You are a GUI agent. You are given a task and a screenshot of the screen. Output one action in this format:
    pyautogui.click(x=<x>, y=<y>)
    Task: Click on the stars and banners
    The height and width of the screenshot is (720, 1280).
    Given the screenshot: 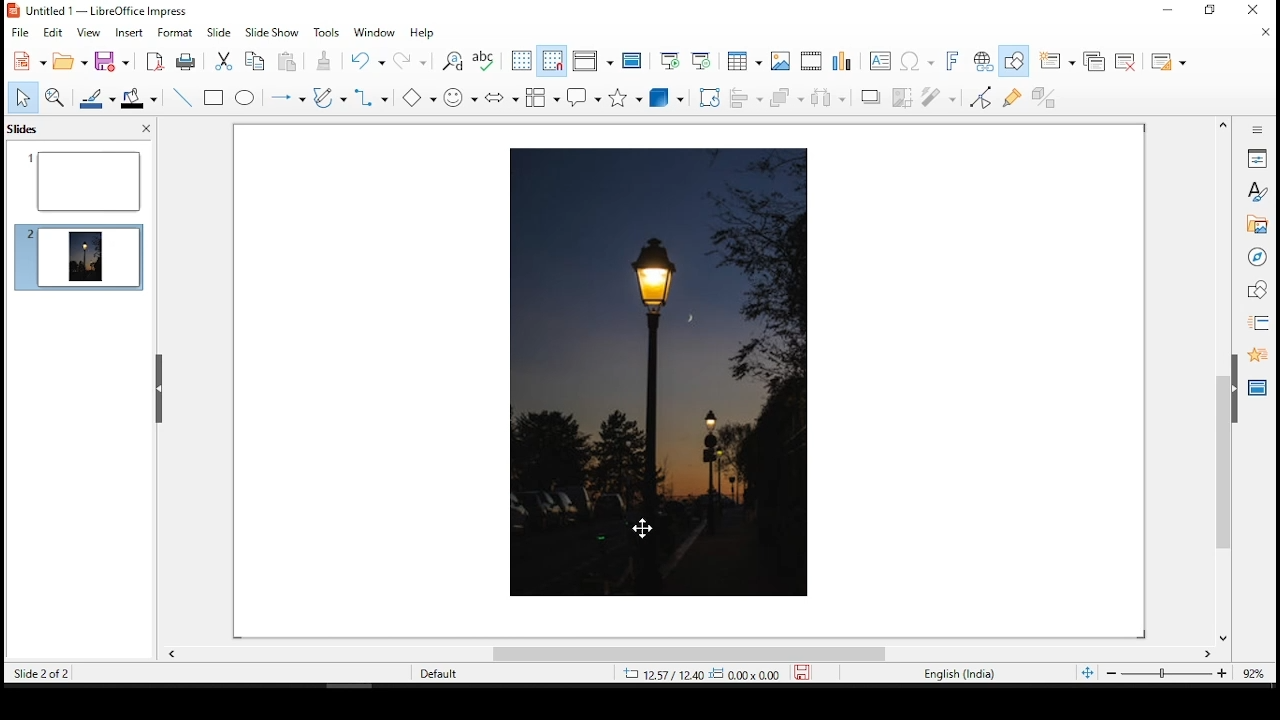 What is the action you would take?
    pyautogui.click(x=623, y=99)
    